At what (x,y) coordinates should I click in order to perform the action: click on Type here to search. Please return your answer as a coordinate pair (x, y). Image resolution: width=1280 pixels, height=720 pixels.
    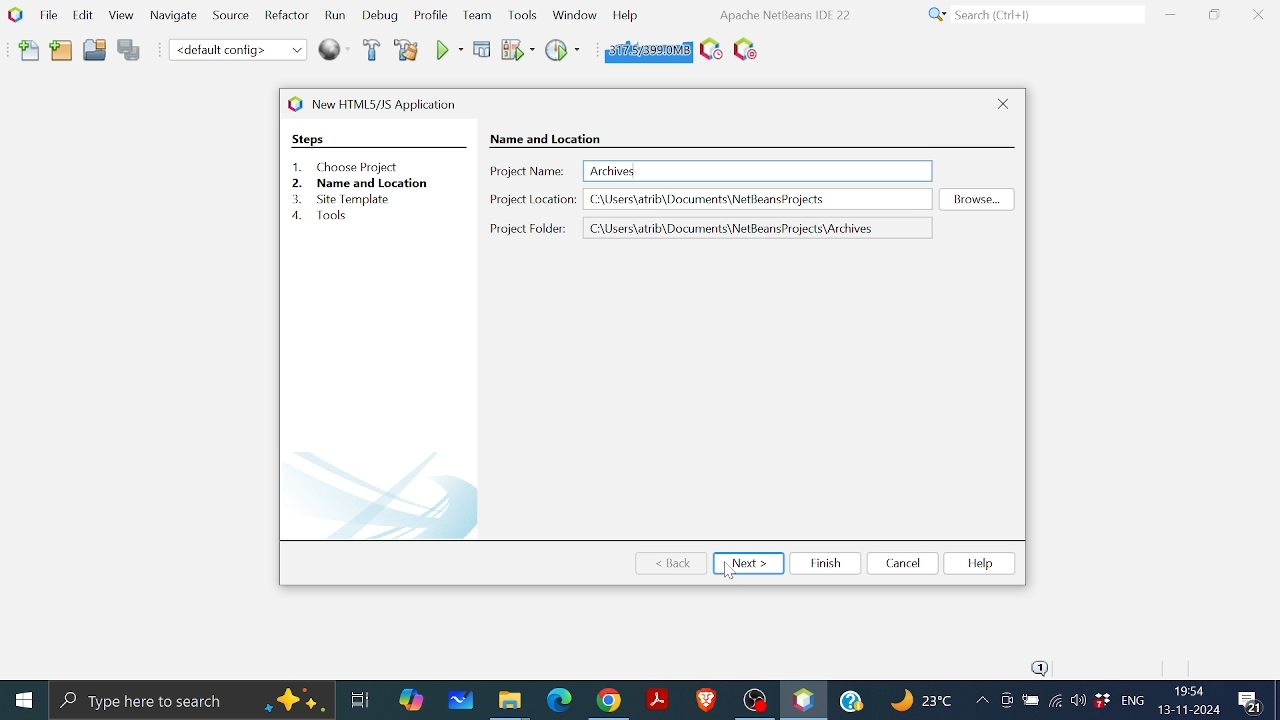
    Looking at the image, I should click on (192, 700).